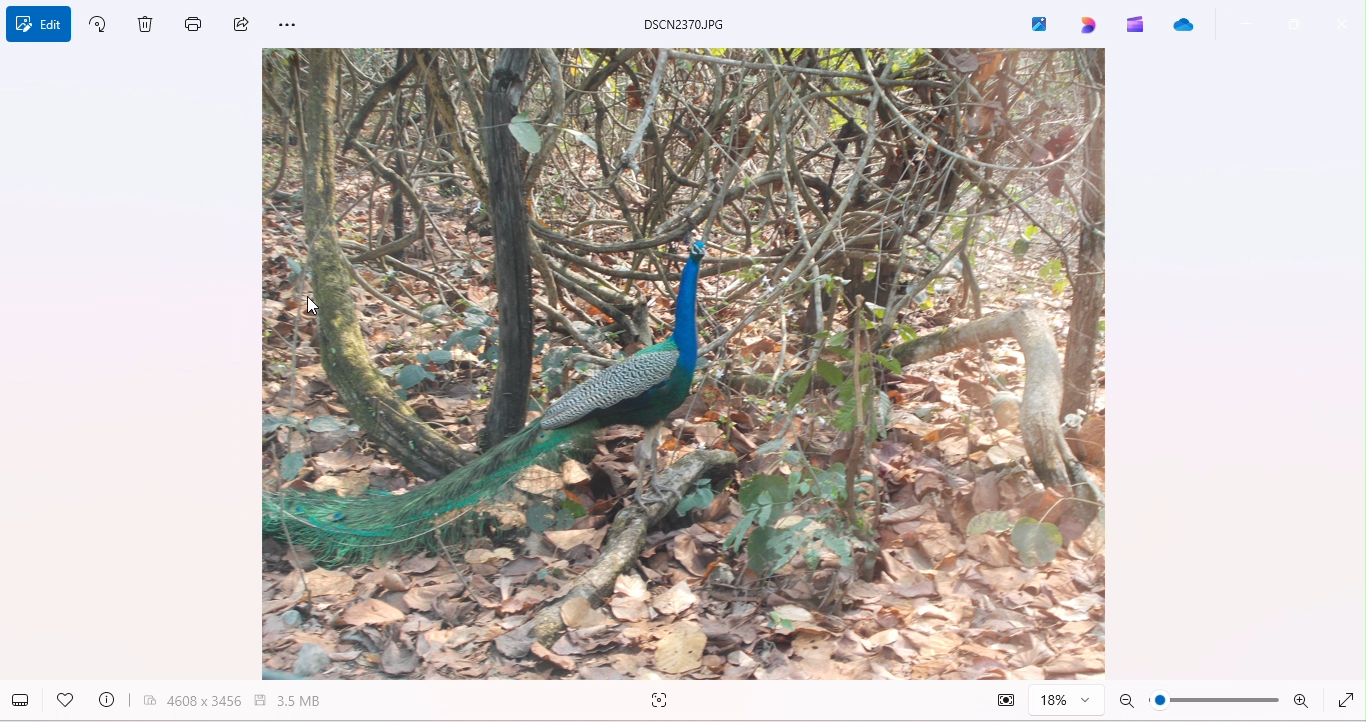  What do you see at coordinates (694, 23) in the screenshot?
I see `dscn2370jpg opened file directly from an archive` at bounding box center [694, 23].